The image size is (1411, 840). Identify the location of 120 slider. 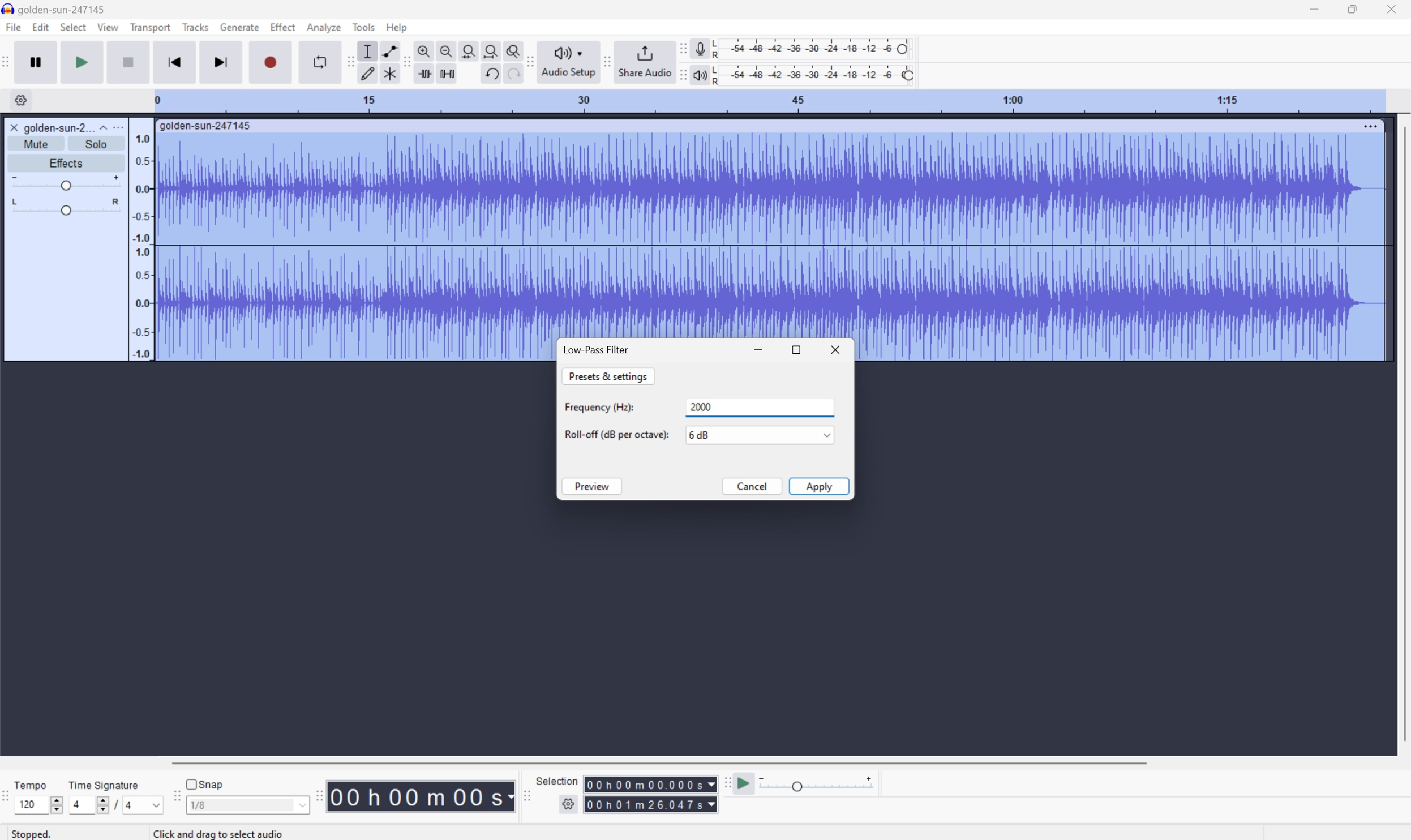
(41, 804).